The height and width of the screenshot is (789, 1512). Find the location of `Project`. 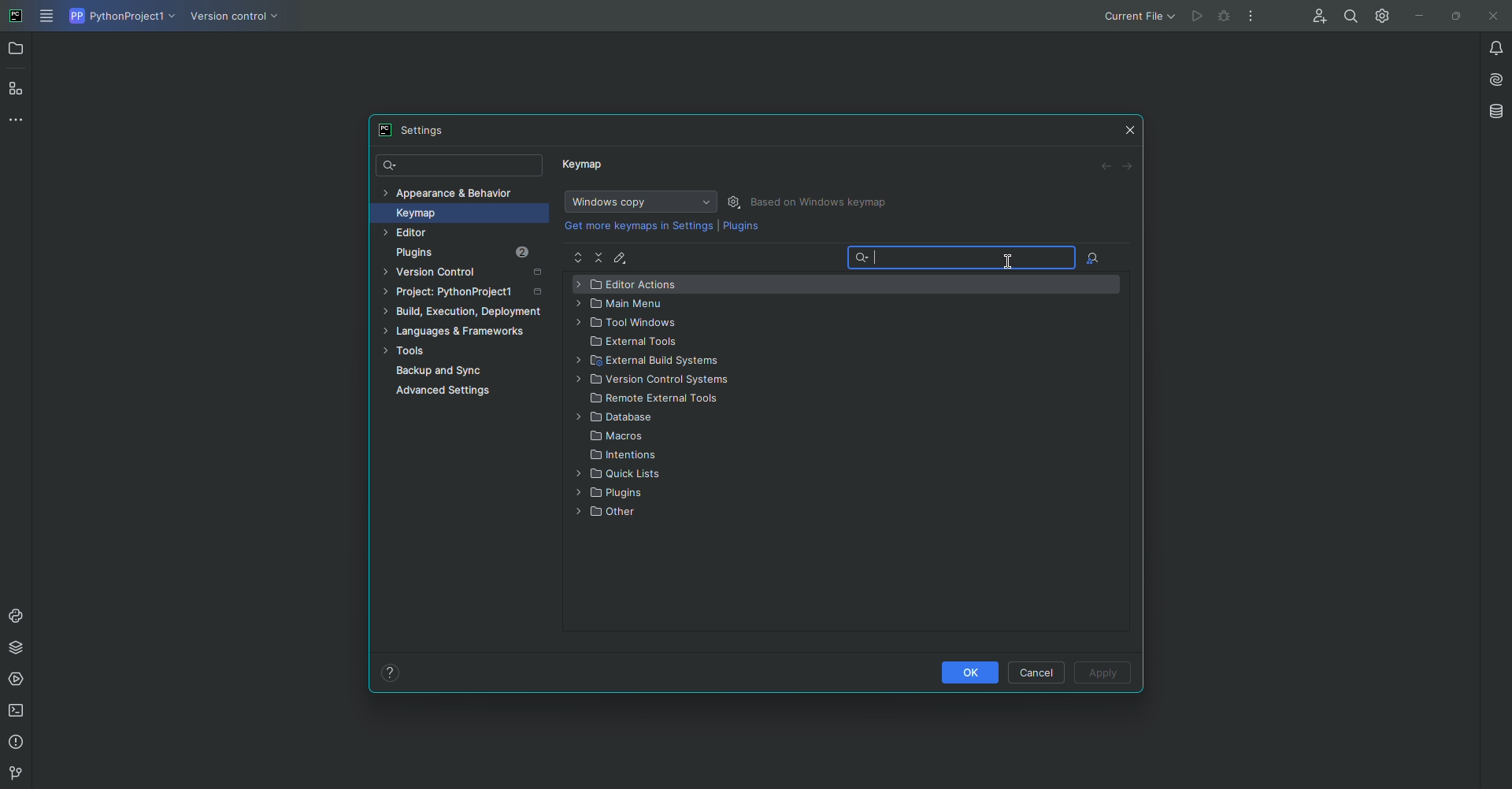

Project is located at coordinates (465, 294).